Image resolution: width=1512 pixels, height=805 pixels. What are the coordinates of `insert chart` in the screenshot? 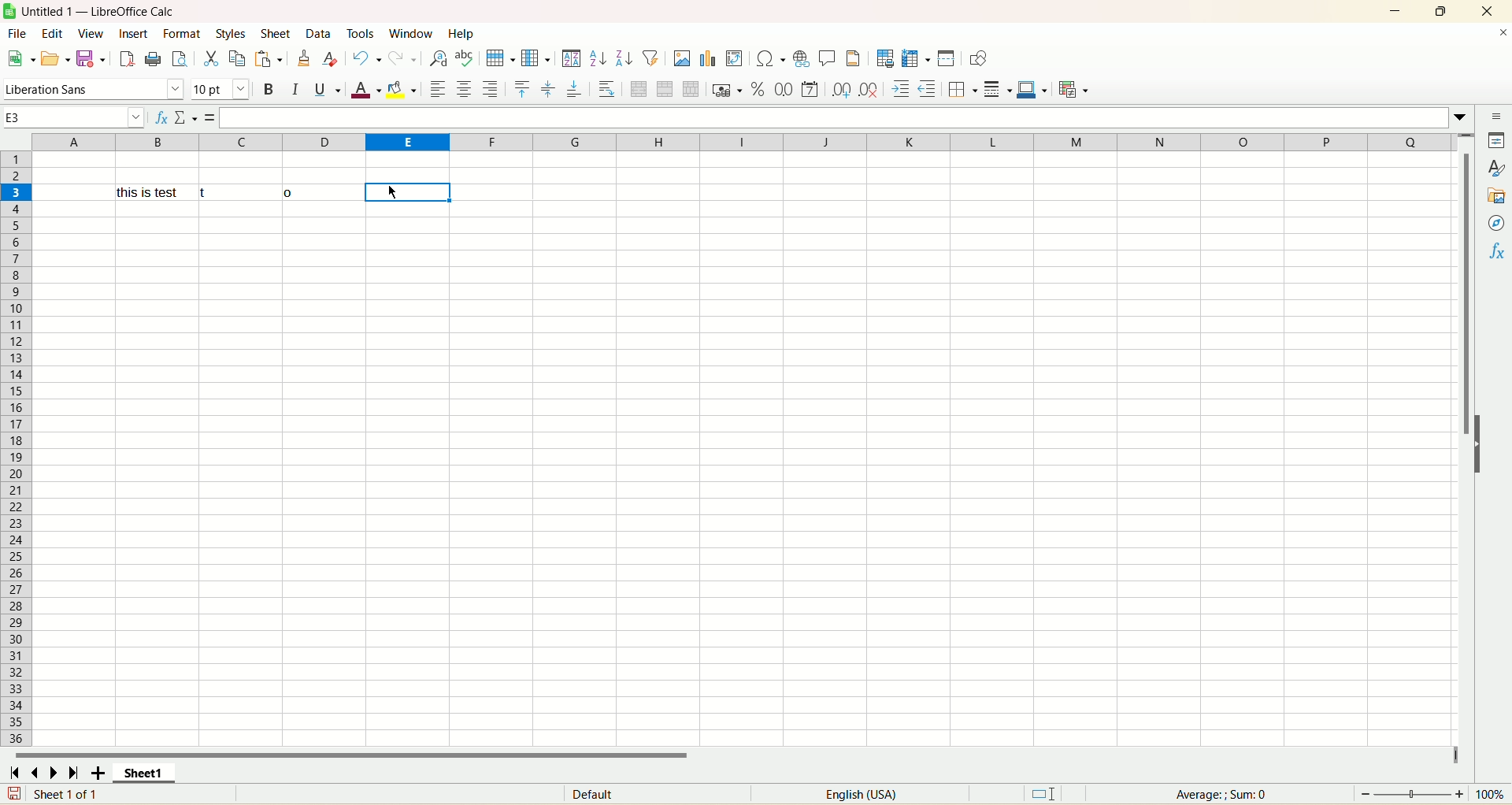 It's located at (712, 59).